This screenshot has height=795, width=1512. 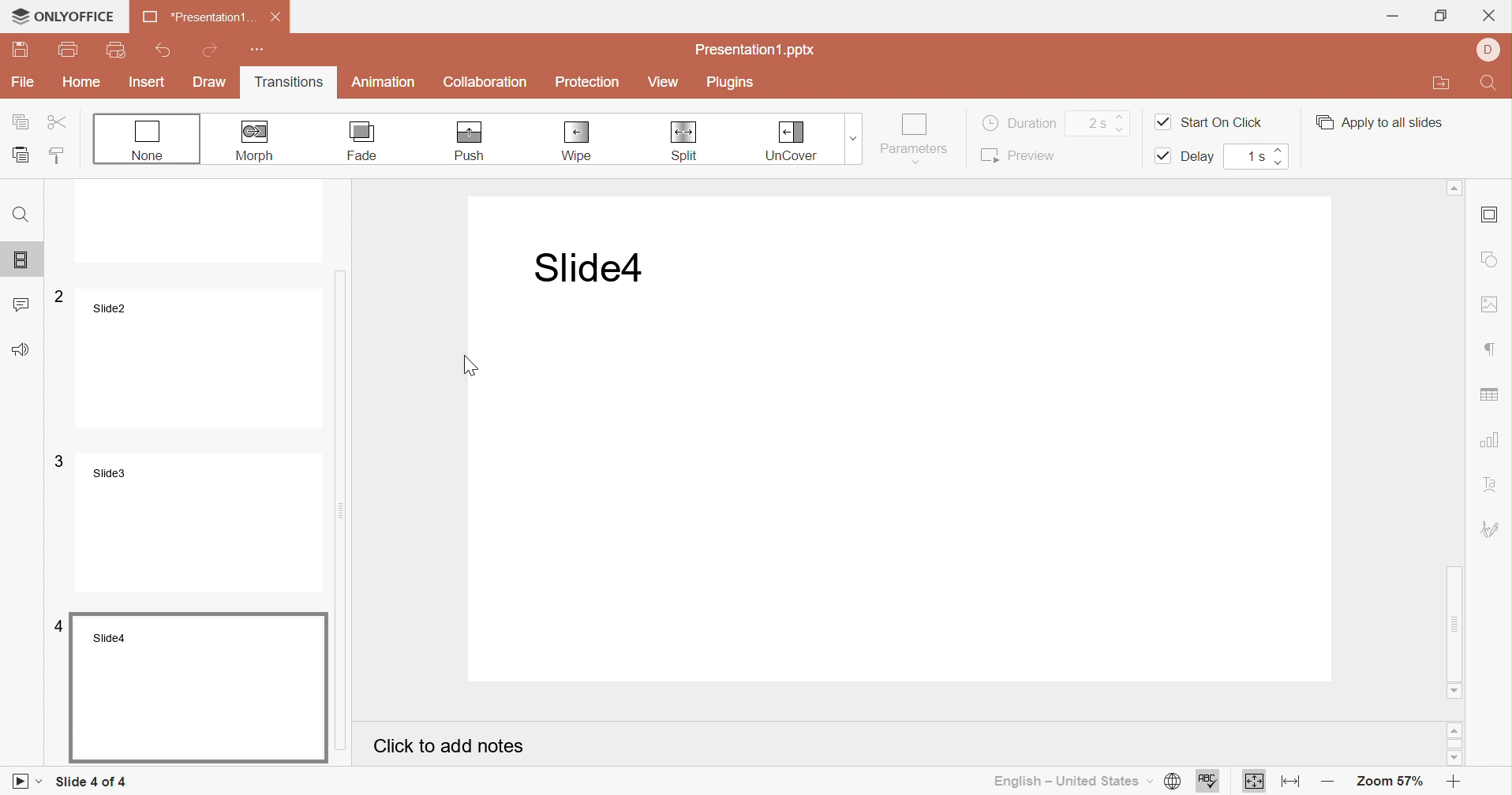 I want to click on None, so click(x=148, y=140).